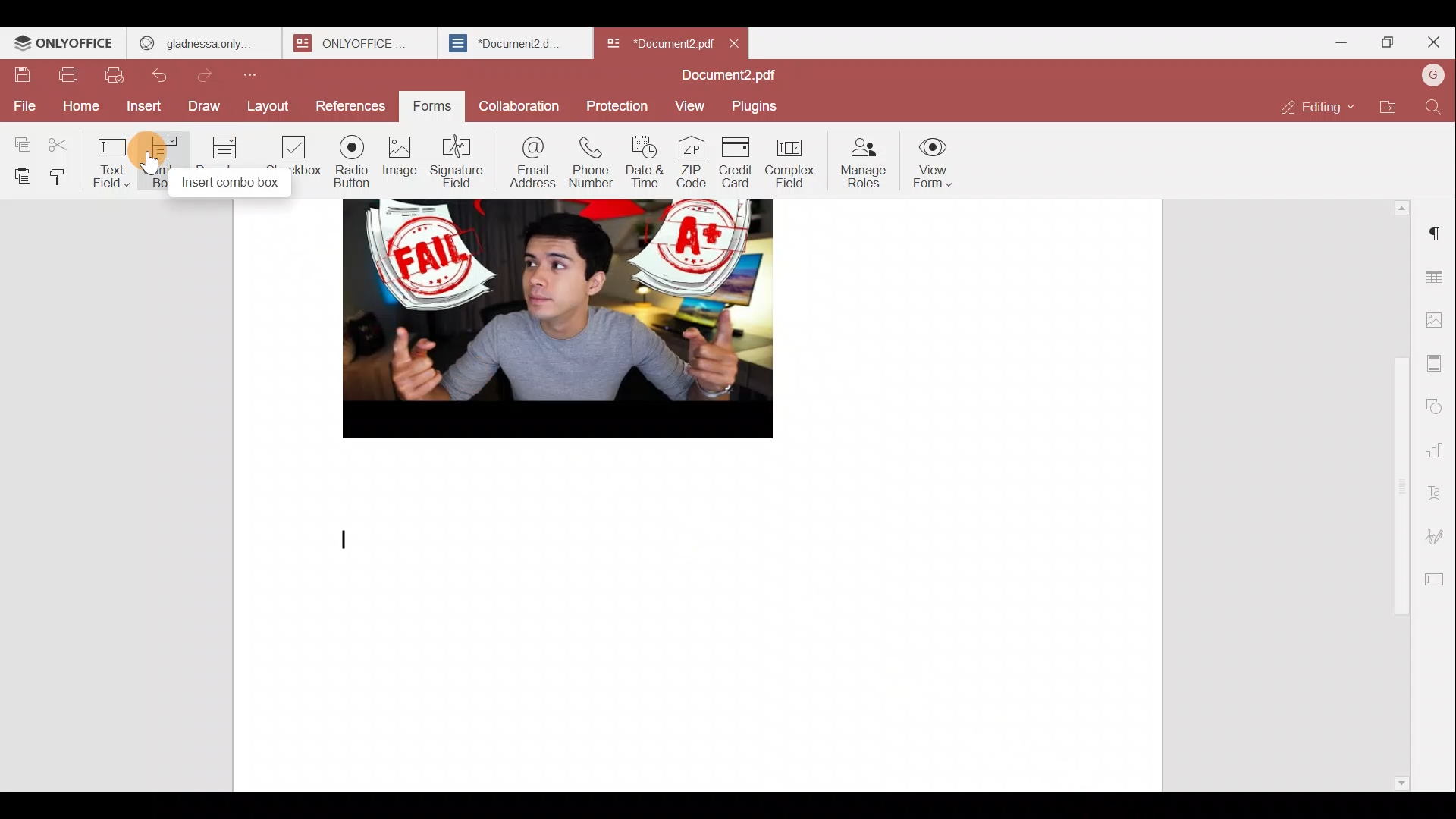 This screenshot has width=1456, height=819. Describe the element at coordinates (645, 165) in the screenshot. I see `Date & time` at that location.